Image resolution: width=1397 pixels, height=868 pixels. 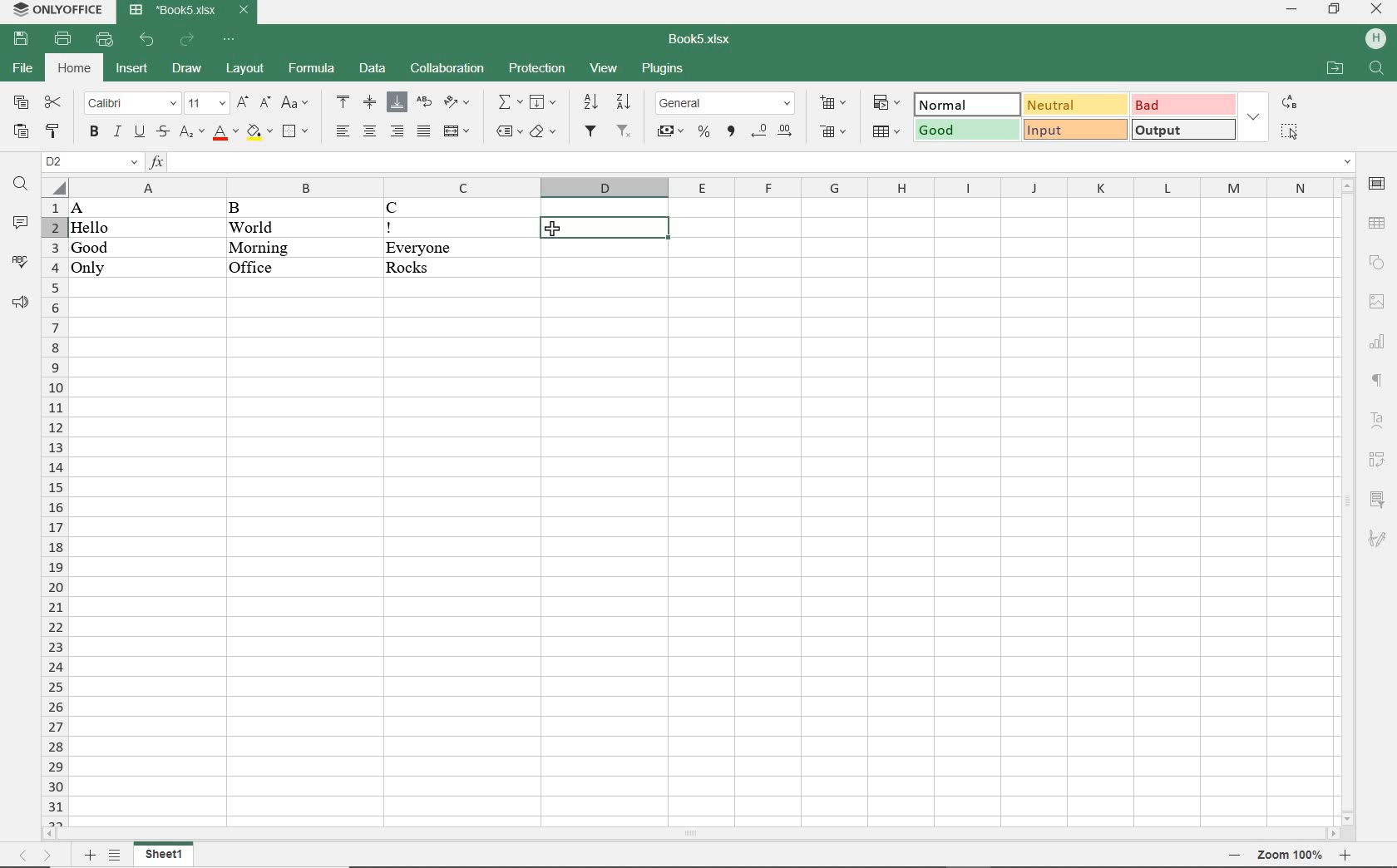 What do you see at coordinates (97, 269) in the screenshot?
I see `Only` at bounding box center [97, 269].